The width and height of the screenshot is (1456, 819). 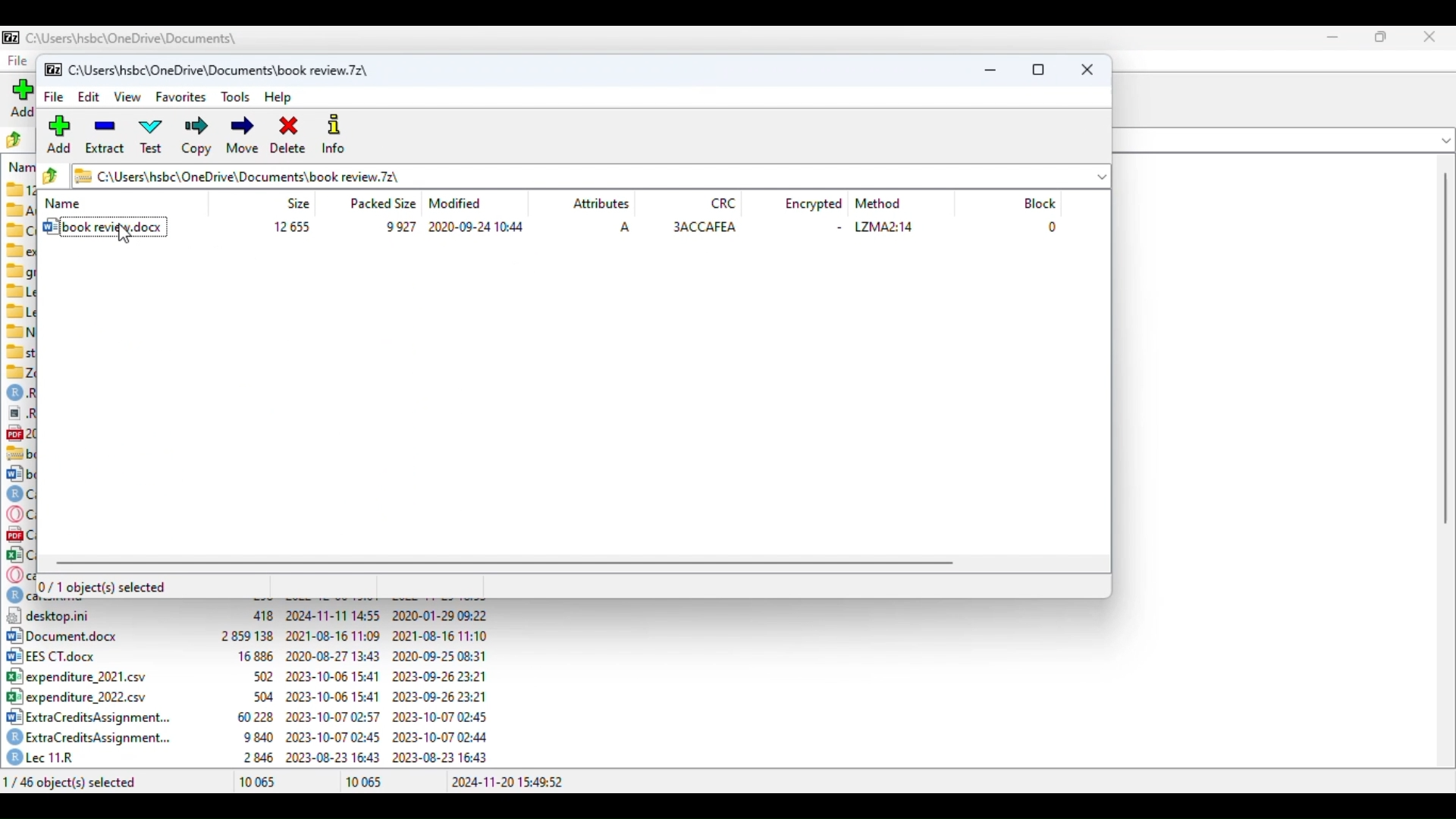 I want to click on method, so click(x=879, y=203).